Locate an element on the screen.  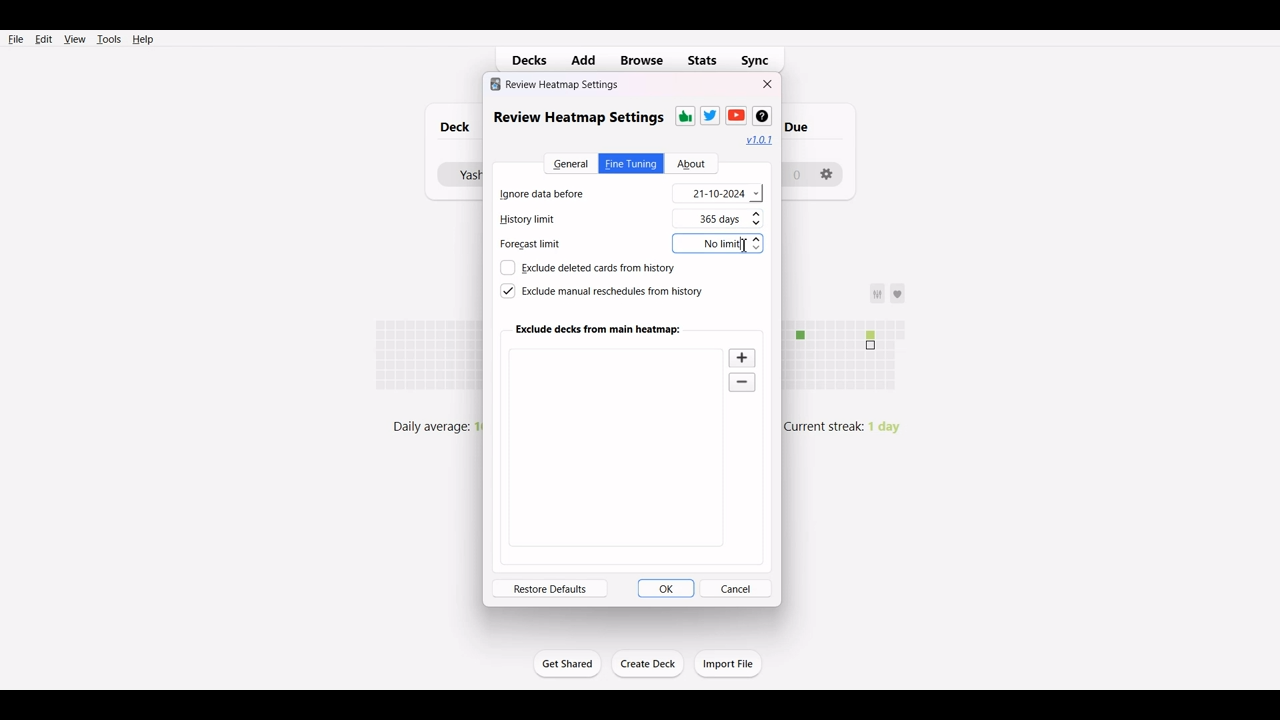
365 days is located at coordinates (733, 219).